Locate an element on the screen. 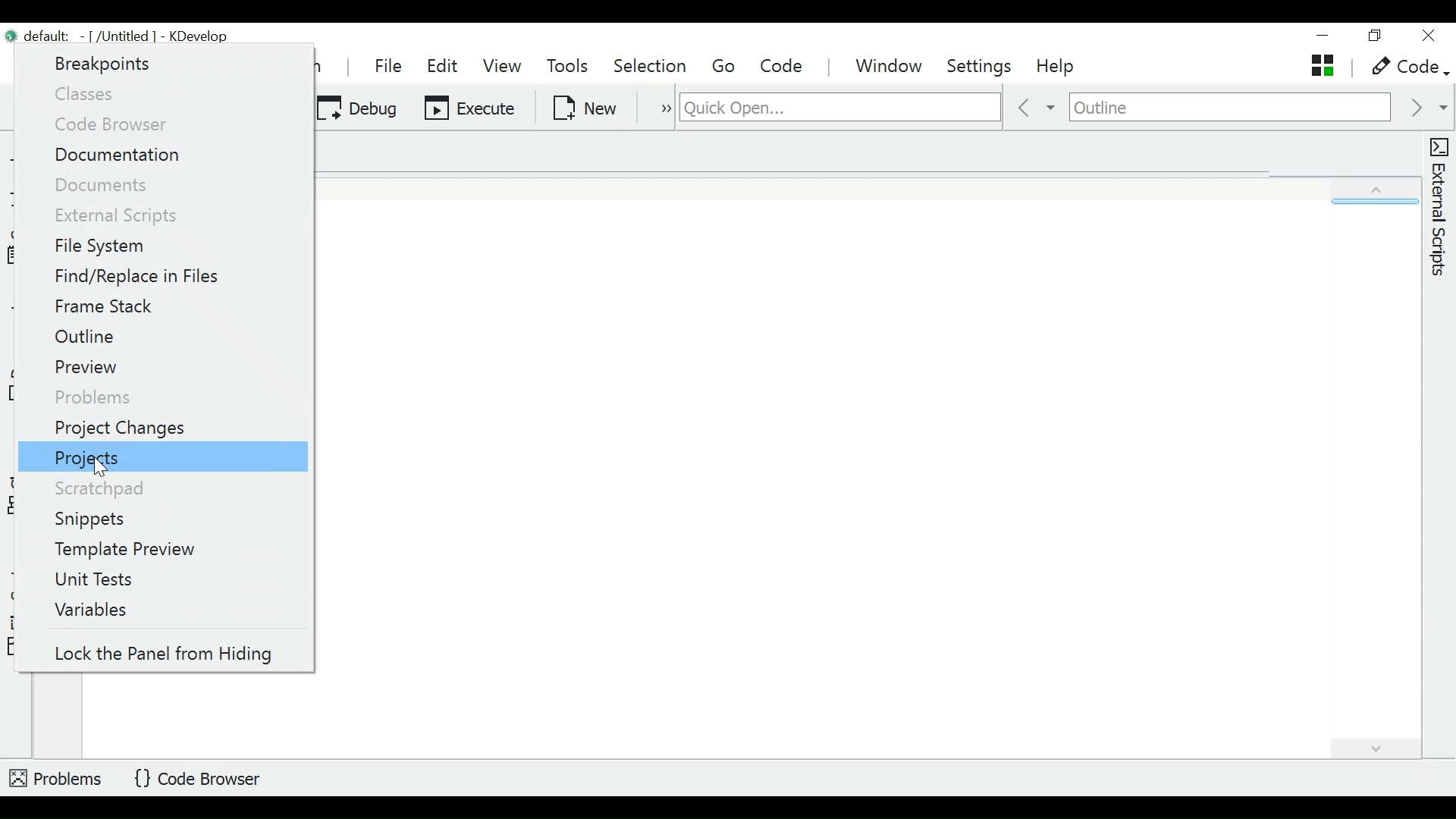 This screenshot has width=1456, height=819. search for files, classes, functions and more is located at coordinates (839, 107).